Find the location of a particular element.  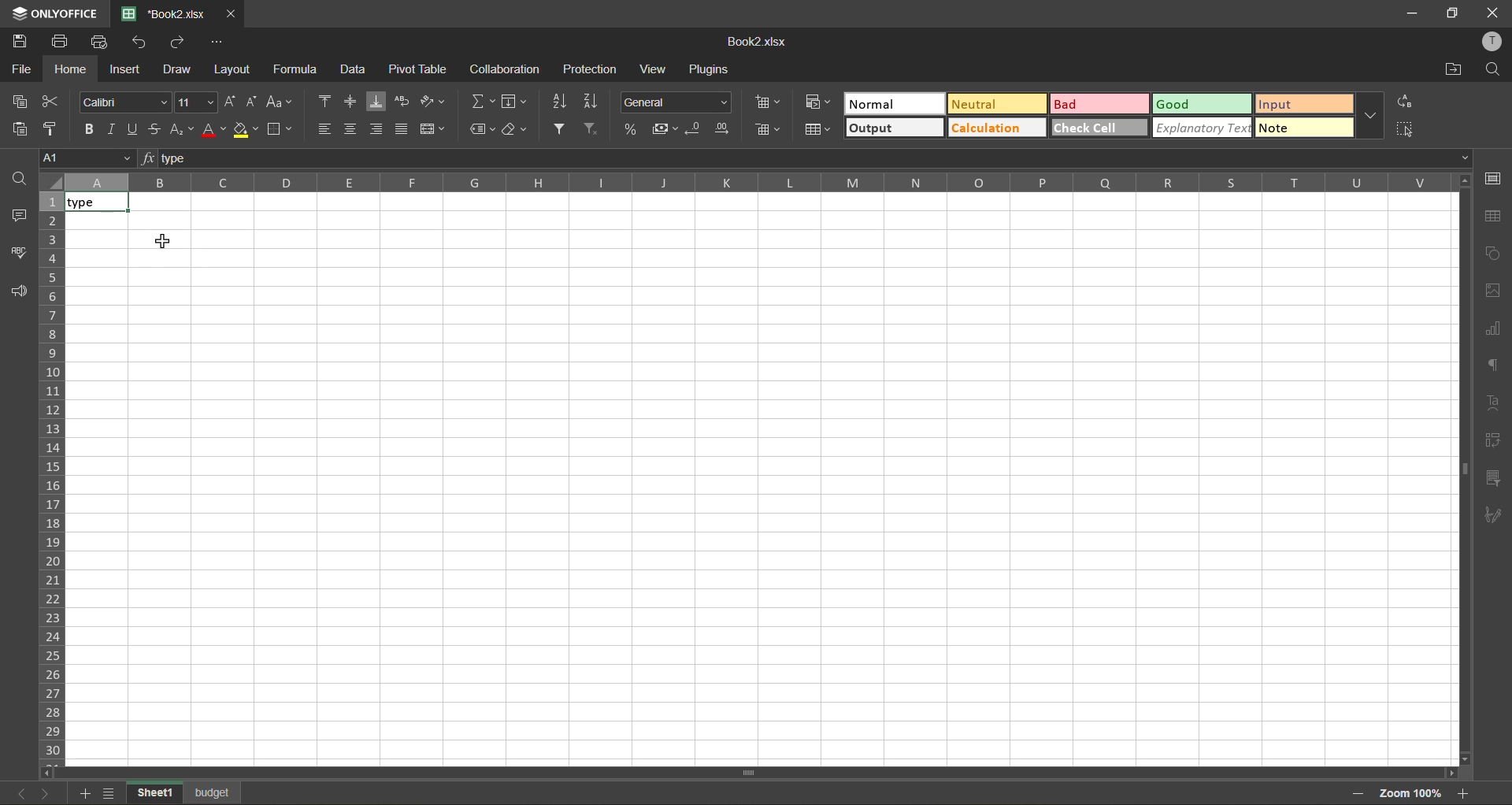

font size is located at coordinates (197, 102).